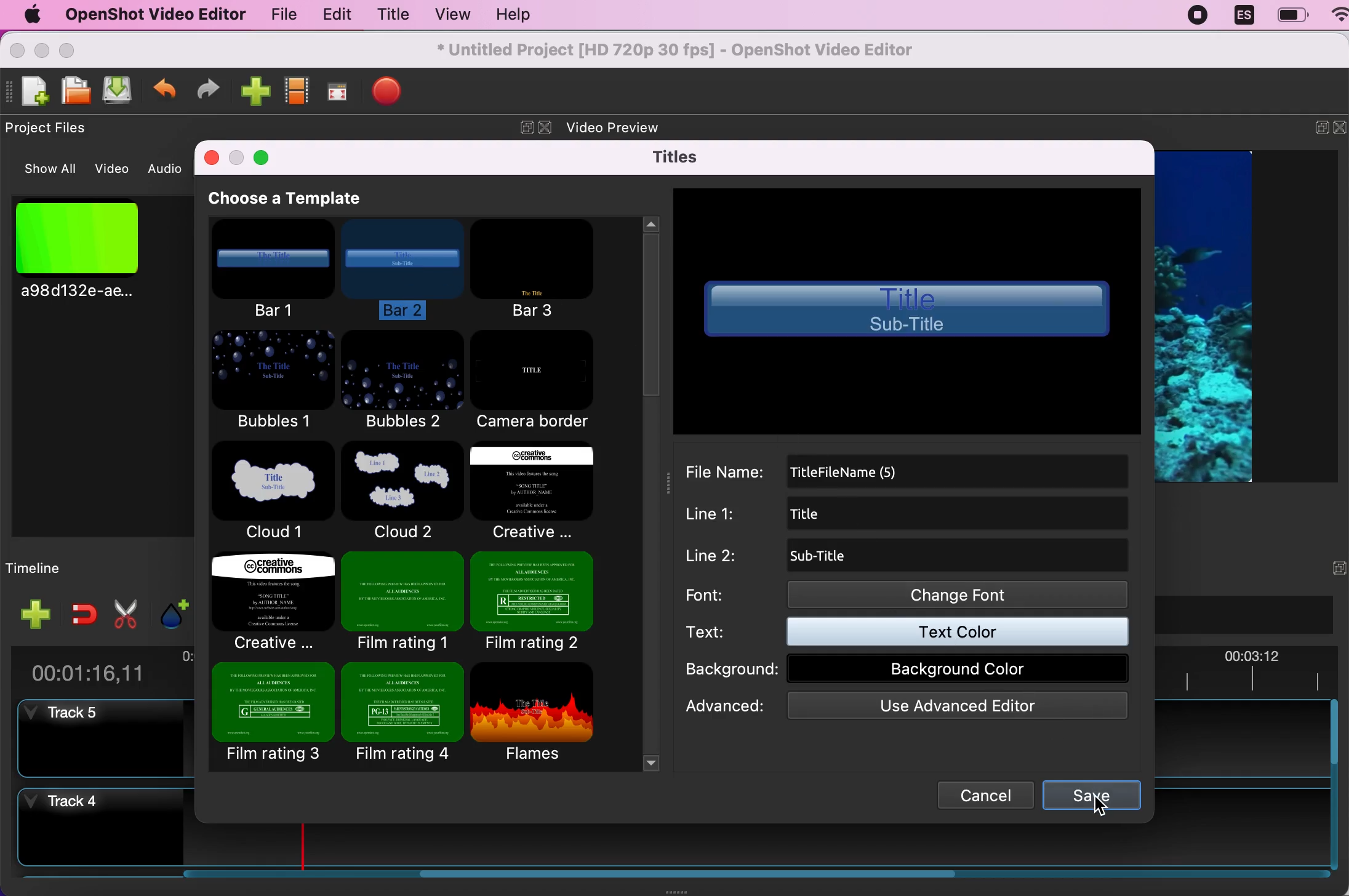 This screenshot has height=896, width=1349. Describe the element at coordinates (904, 556) in the screenshot. I see `line 2` at that location.